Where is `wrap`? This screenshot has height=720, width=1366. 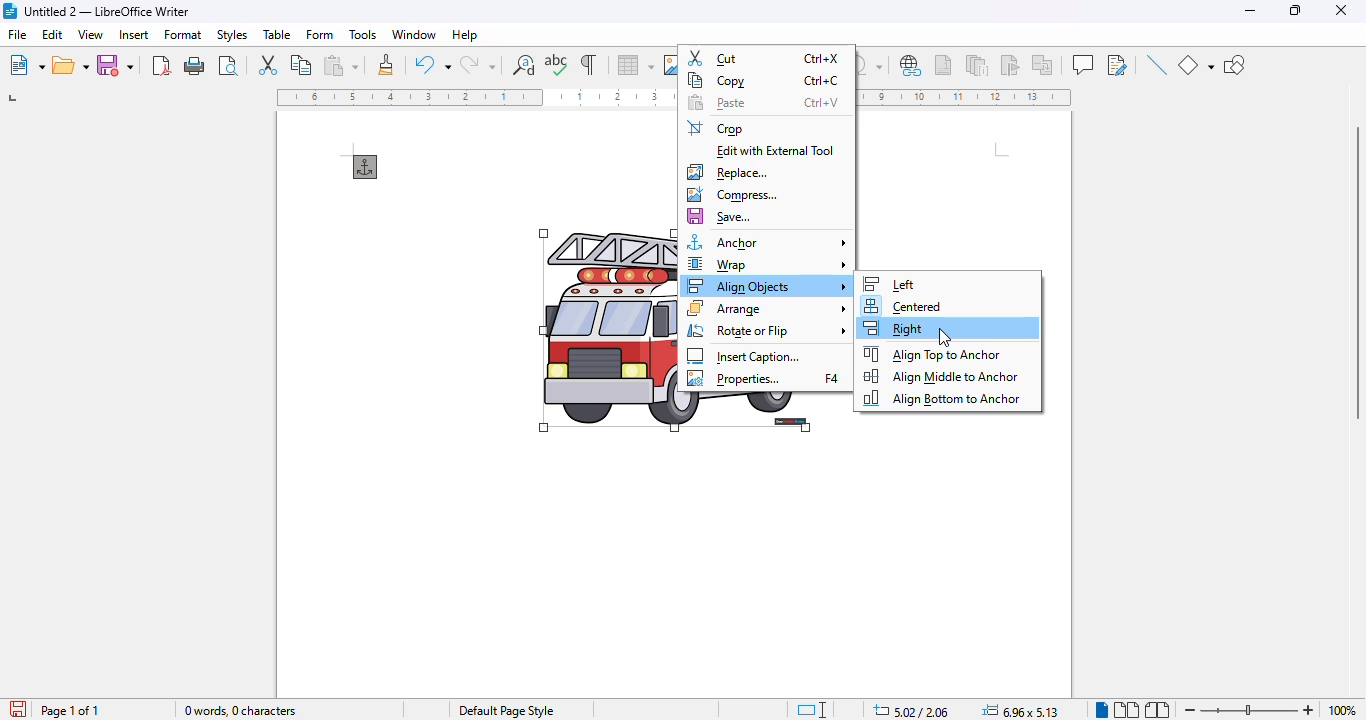
wrap is located at coordinates (767, 264).